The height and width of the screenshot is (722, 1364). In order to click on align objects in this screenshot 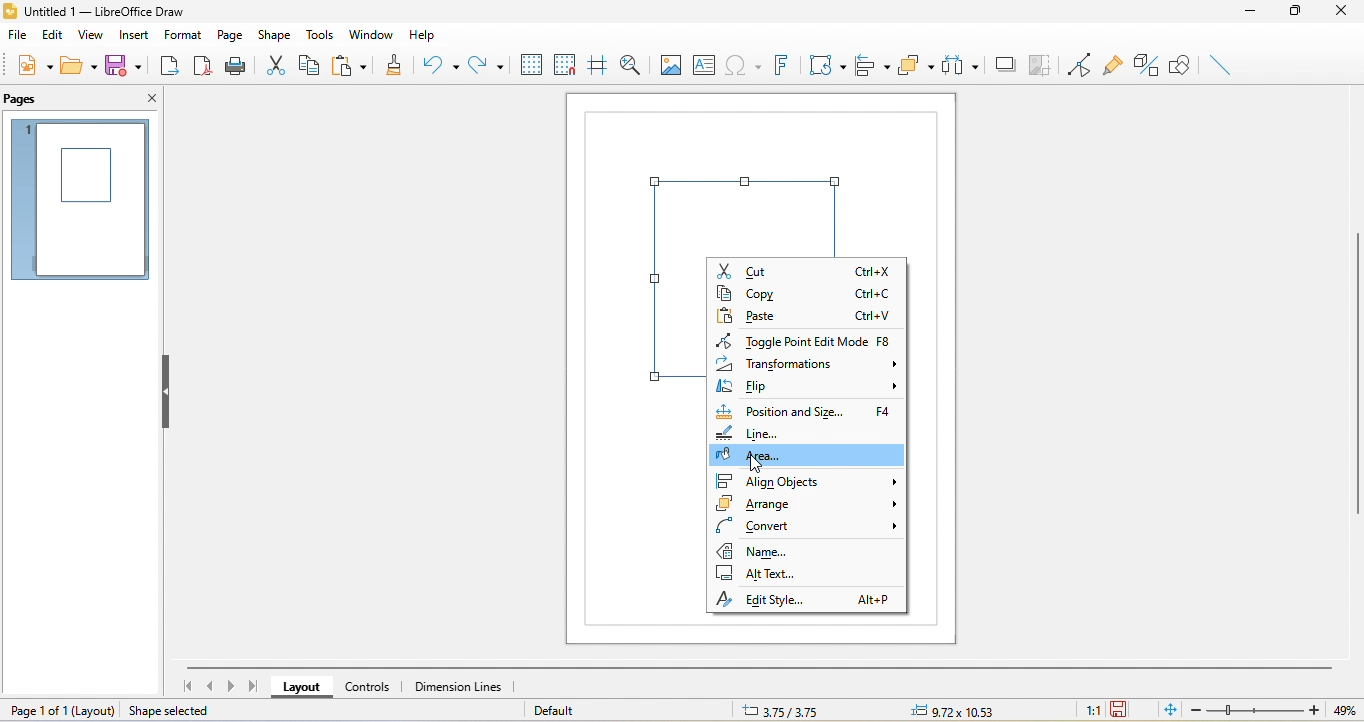, I will do `click(805, 481)`.